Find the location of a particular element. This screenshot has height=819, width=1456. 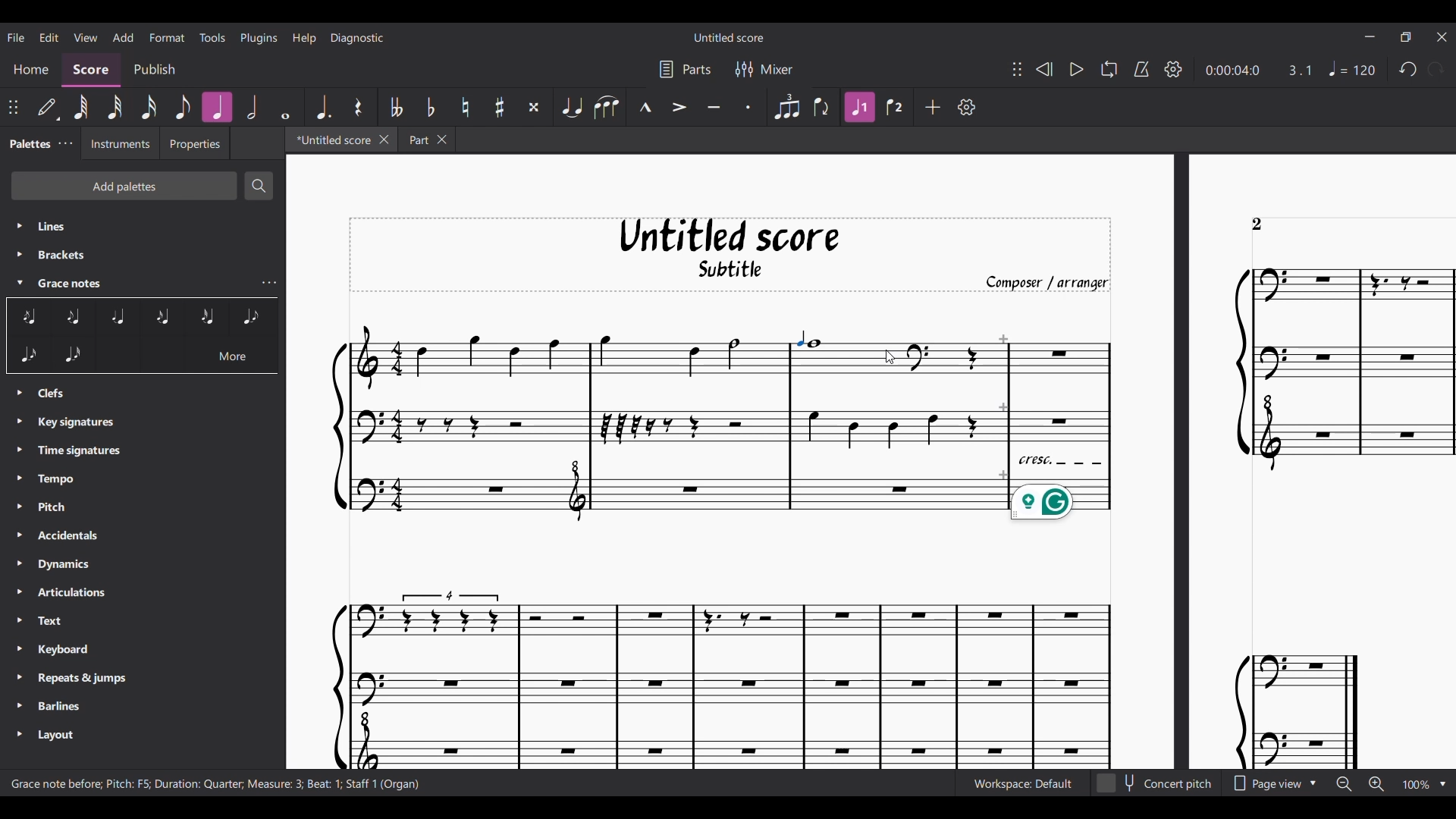

Toggle for Concert pitch is located at coordinates (1156, 783).